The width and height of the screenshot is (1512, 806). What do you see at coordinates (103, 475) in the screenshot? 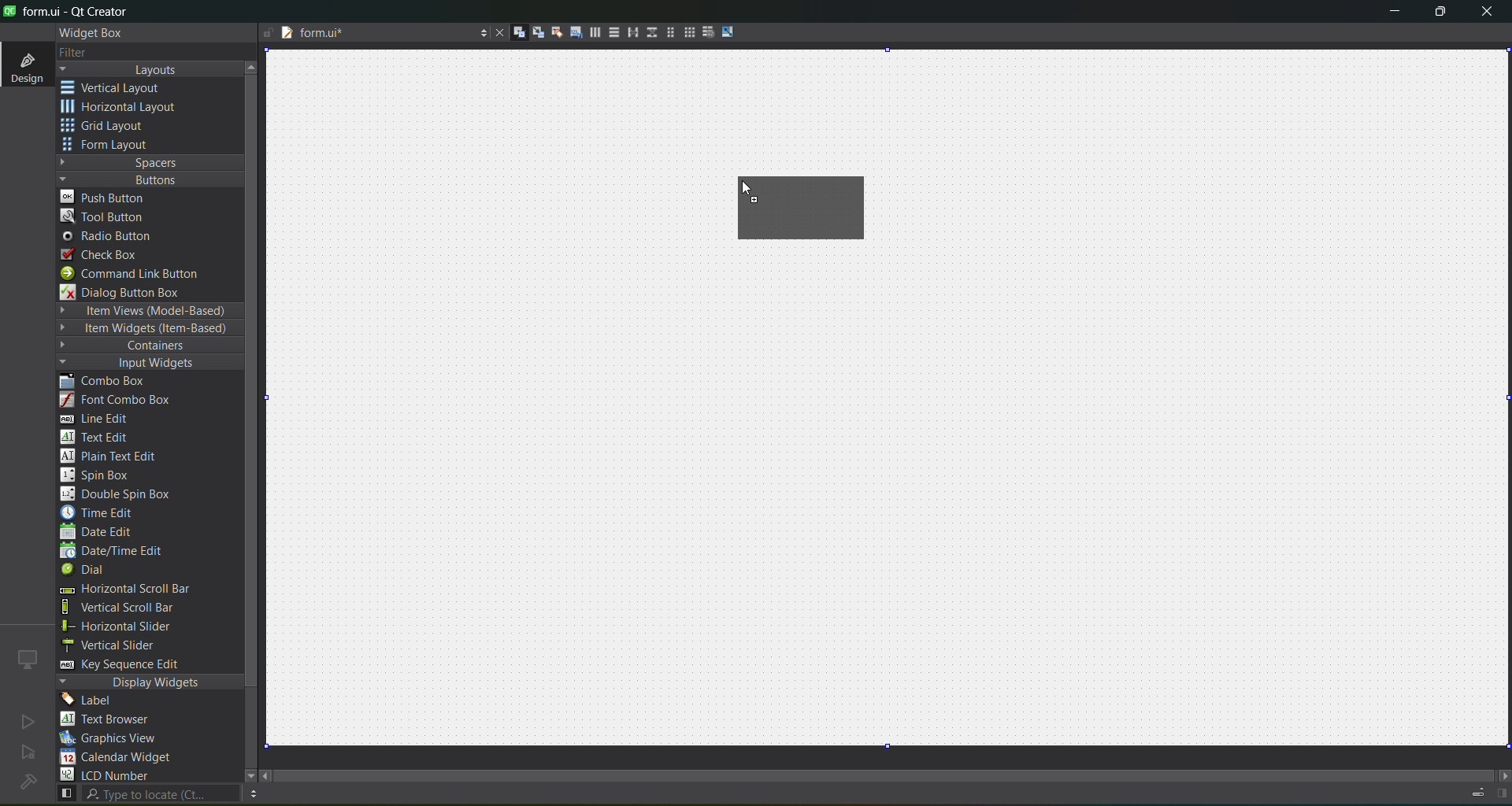
I see `spin box` at bounding box center [103, 475].